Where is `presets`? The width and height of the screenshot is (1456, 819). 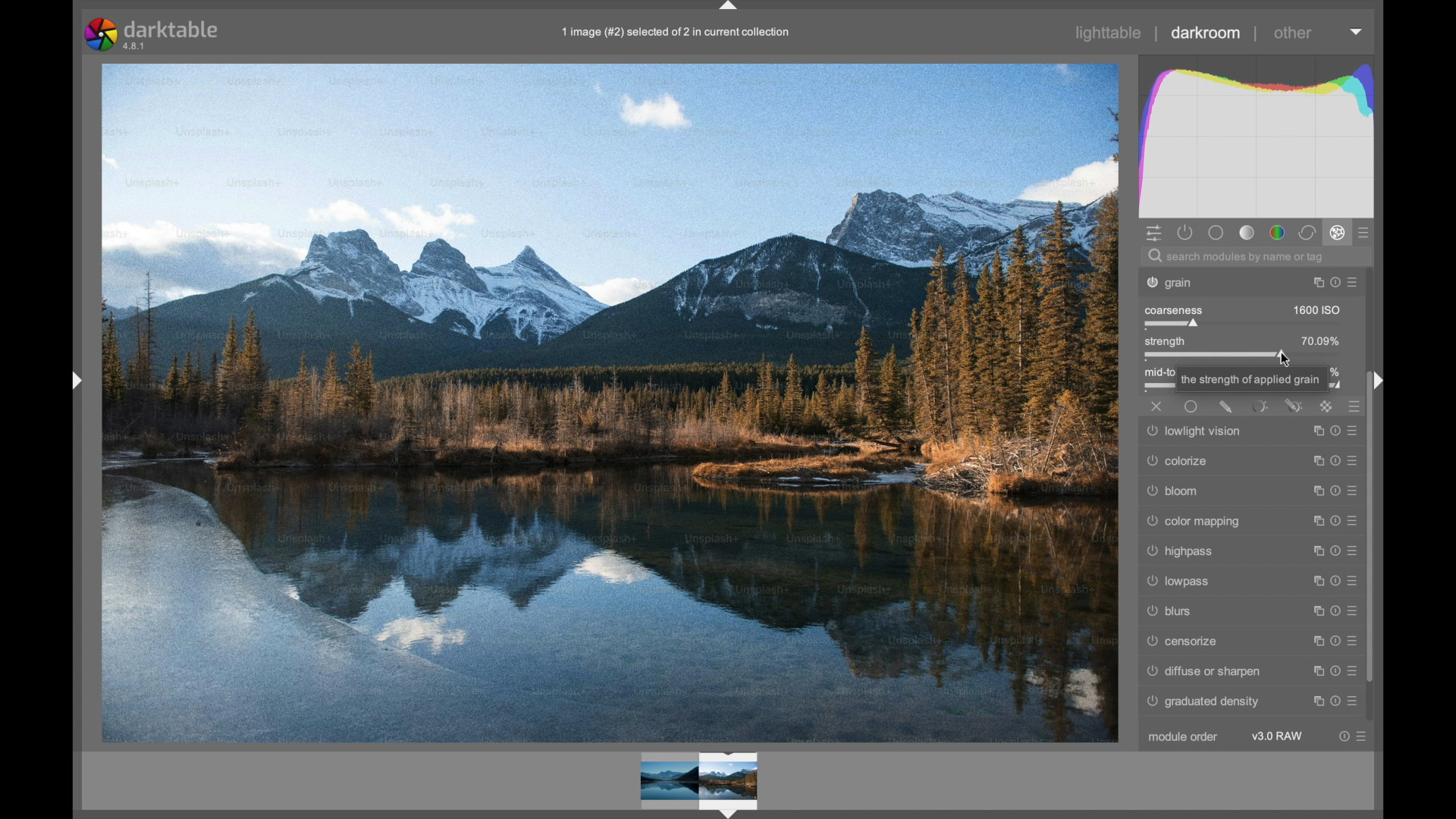 presets is located at coordinates (1356, 431).